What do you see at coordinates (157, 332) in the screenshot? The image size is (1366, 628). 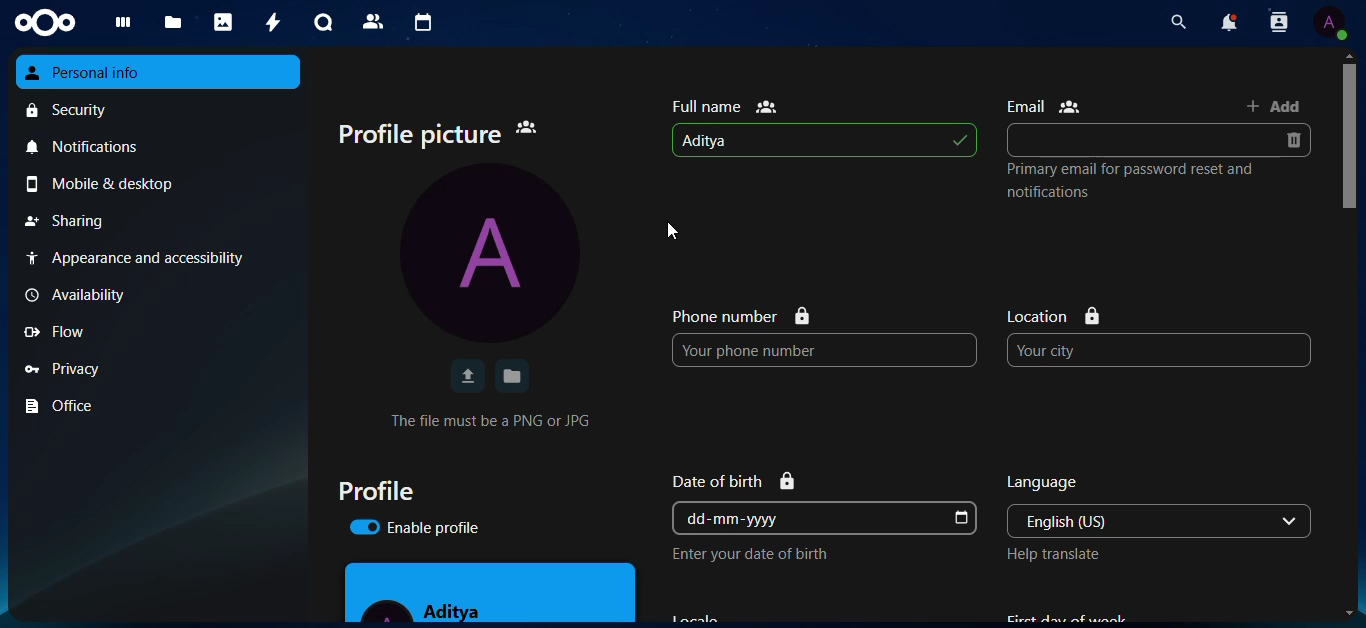 I see `flow` at bounding box center [157, 332].